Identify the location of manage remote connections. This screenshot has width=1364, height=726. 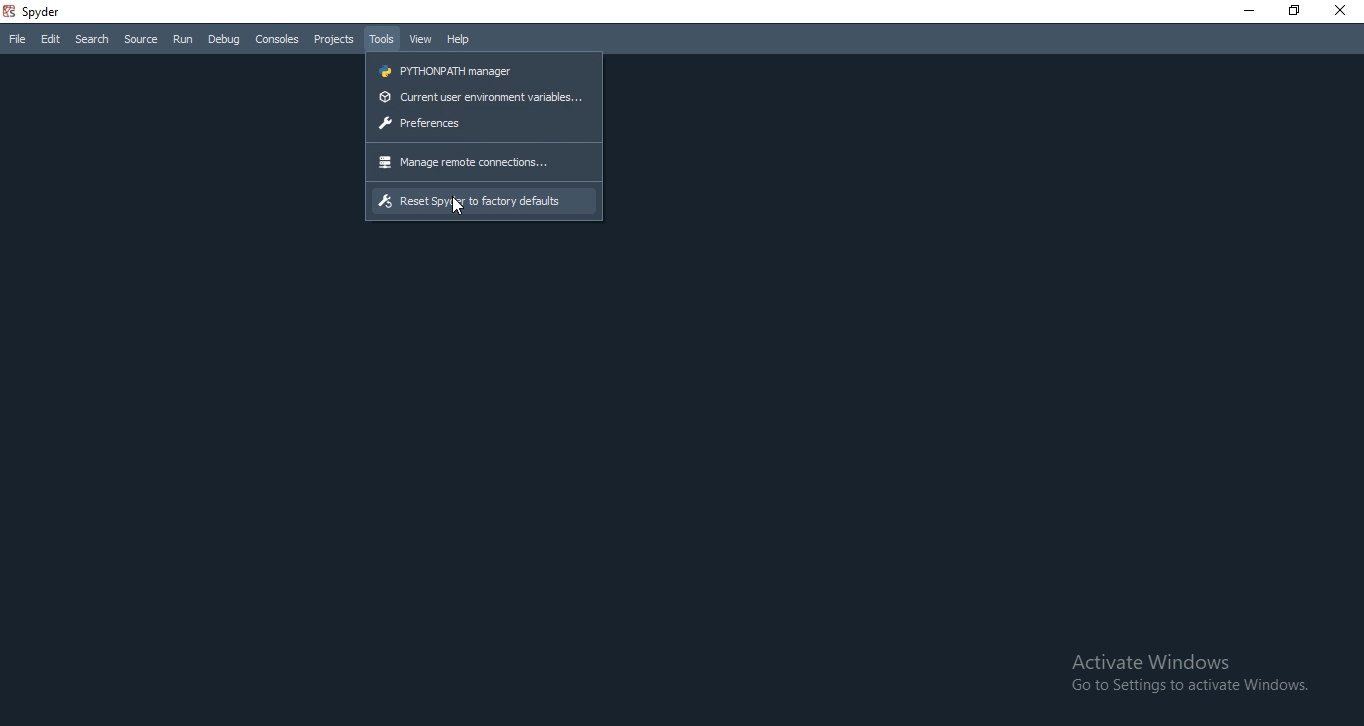
(485, 160).